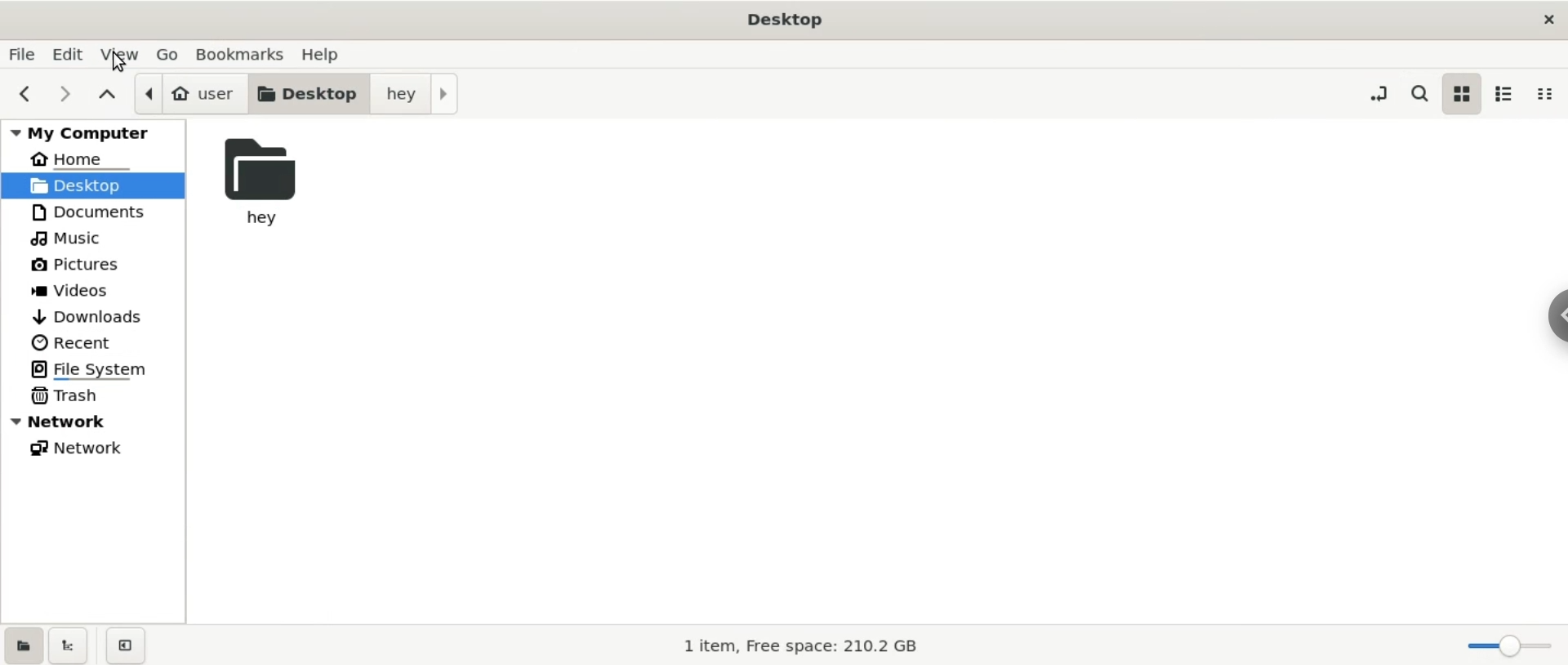 This screenshot has height=665, width=1568. I want to click on hey, so click(414, 91).